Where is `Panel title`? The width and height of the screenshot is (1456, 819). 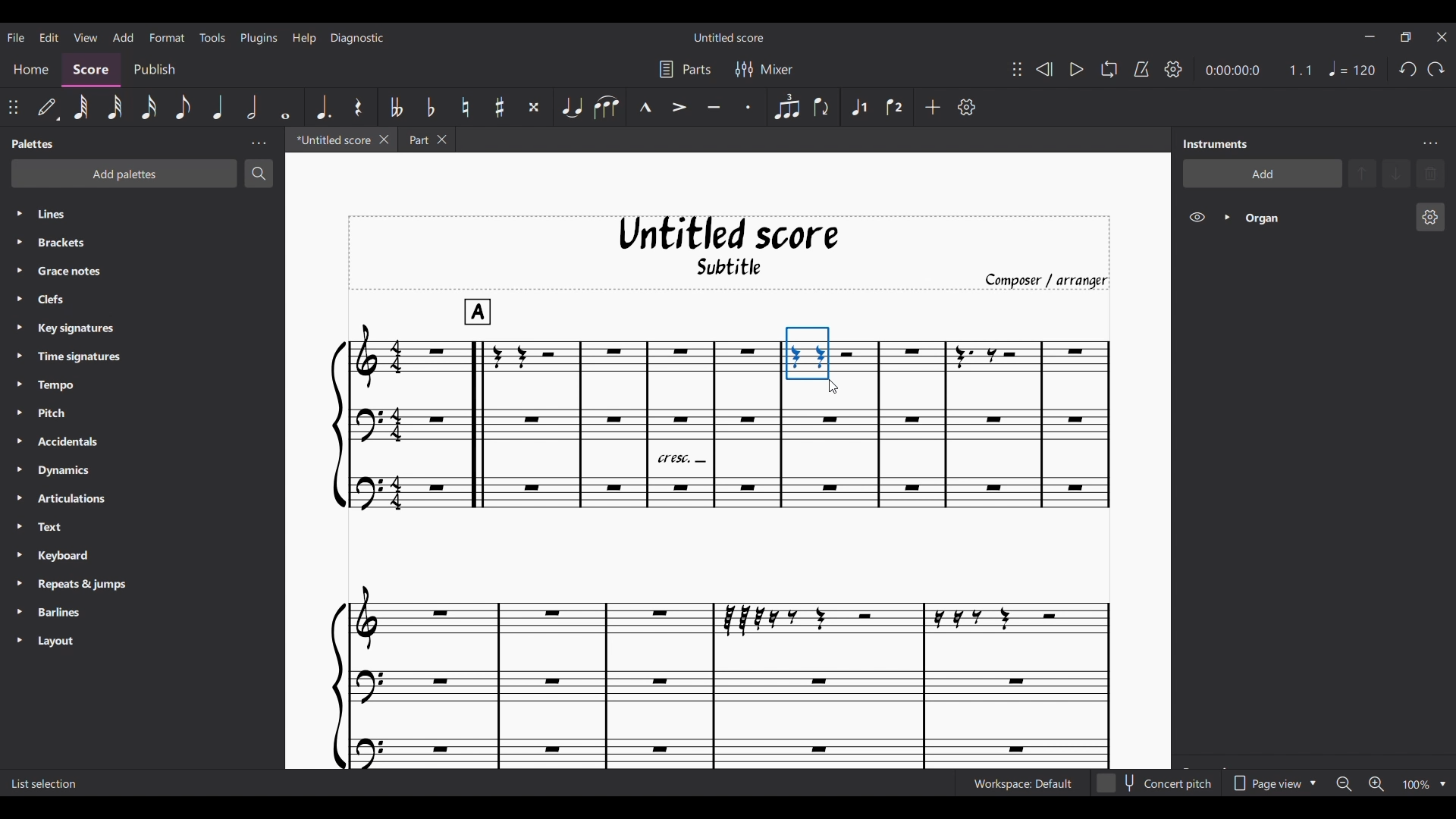 Panel title is located at coordinates (34, 143).